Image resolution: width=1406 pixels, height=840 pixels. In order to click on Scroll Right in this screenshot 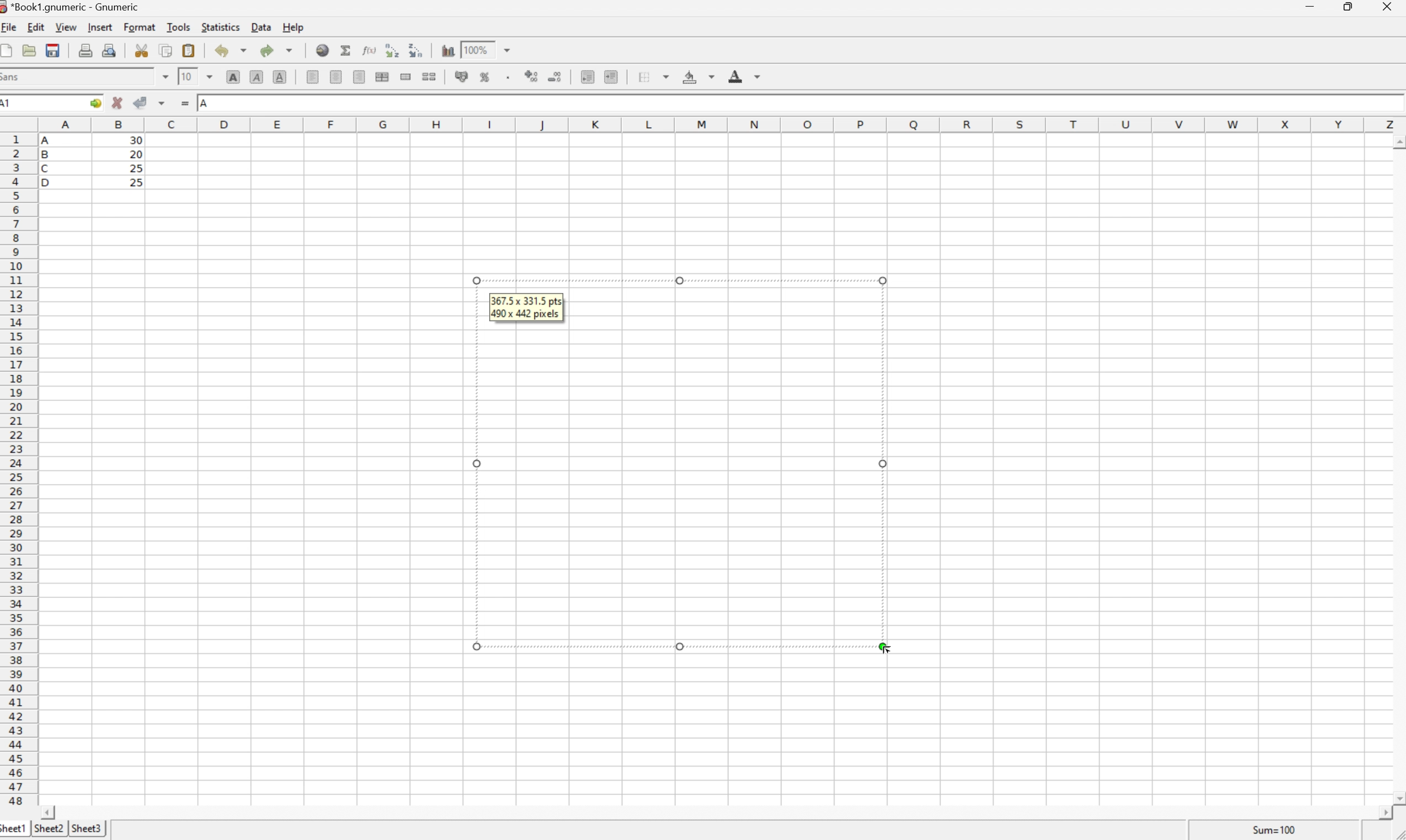, I will do `click(1381, 813)`.